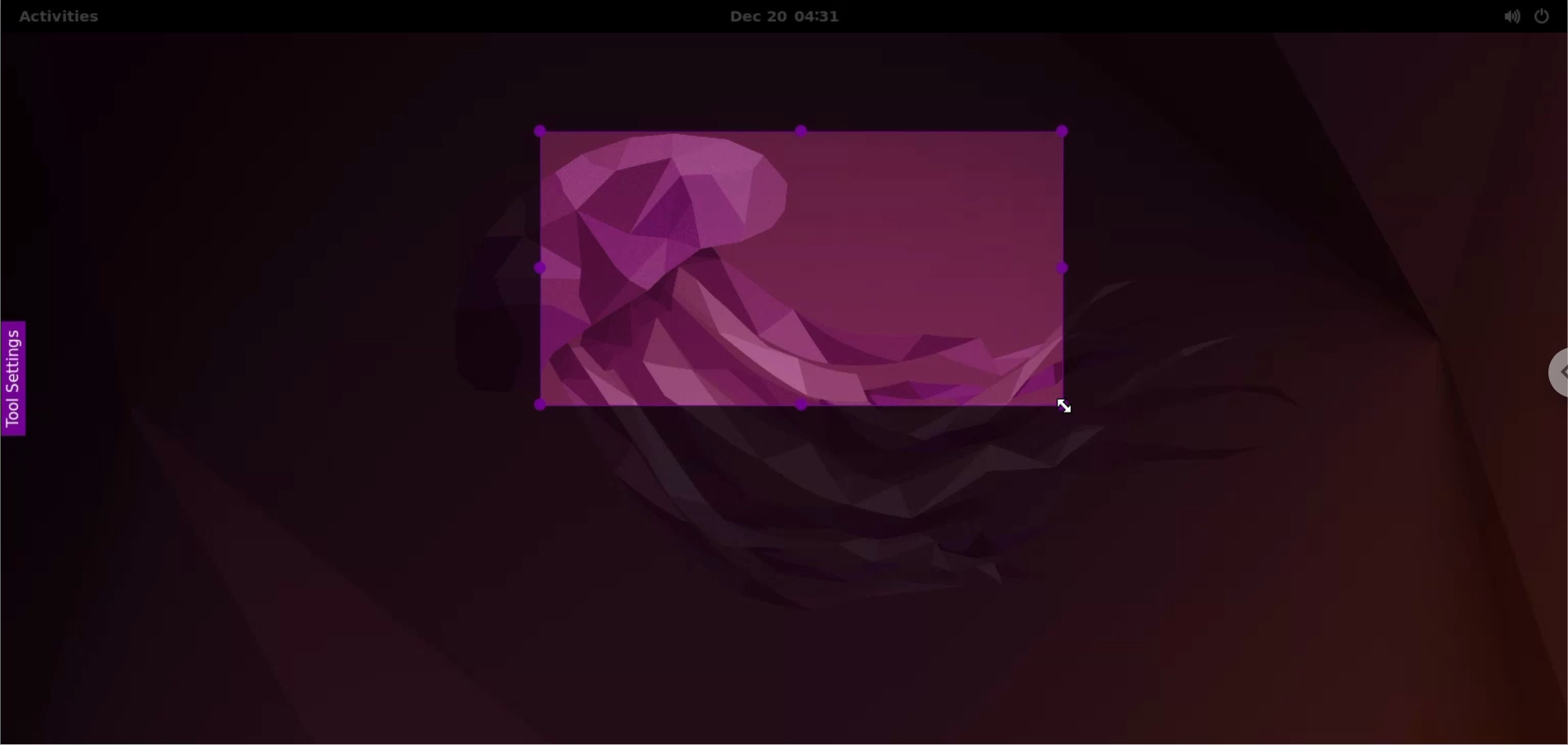 The height and width of the screenshot is (745, 1568). What do you see at coordinates (1548, 15) in the screenshot?
I see `power setting options` at bounding box center [1548, 15].